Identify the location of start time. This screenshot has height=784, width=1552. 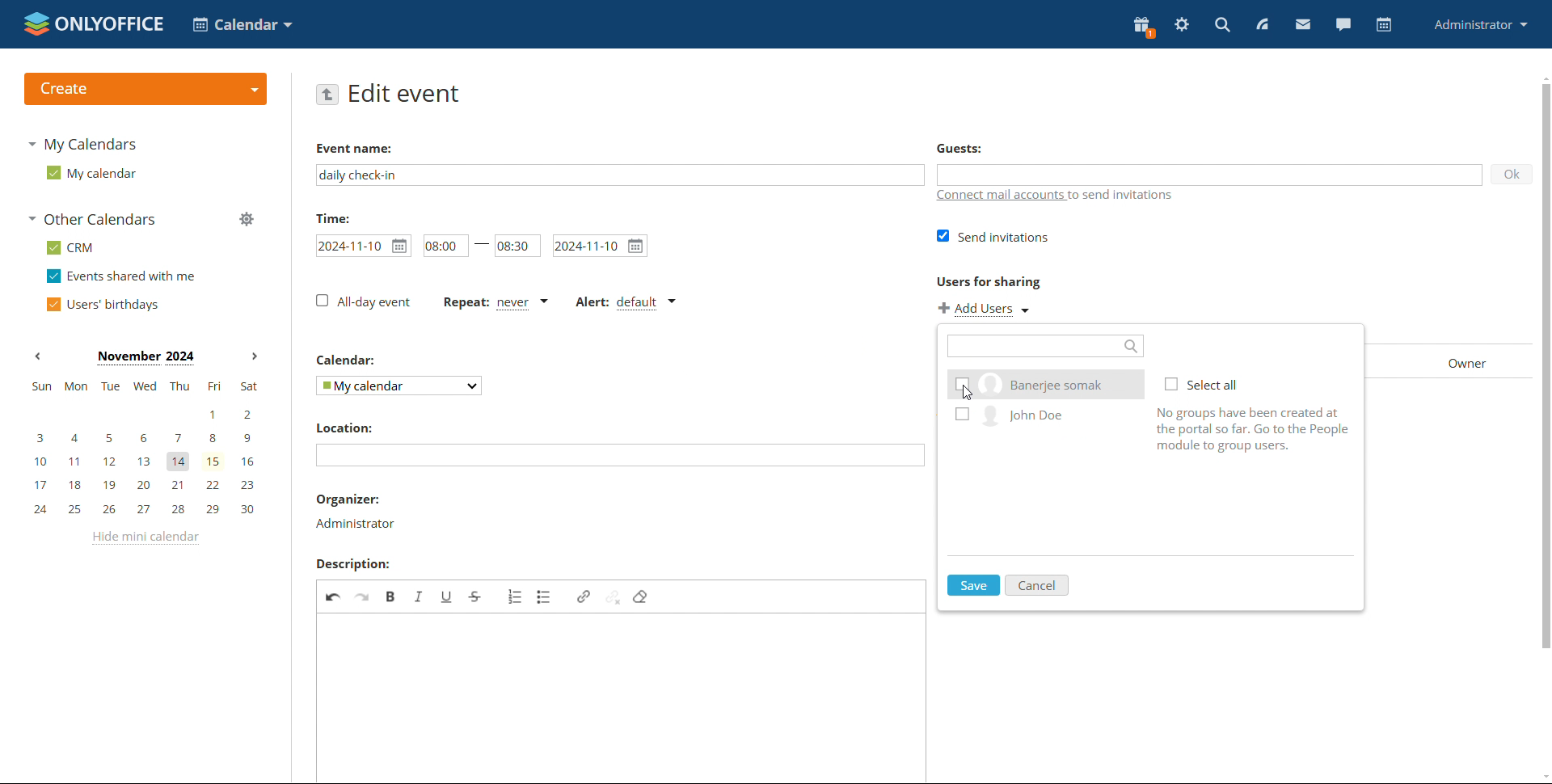
(441, 246).